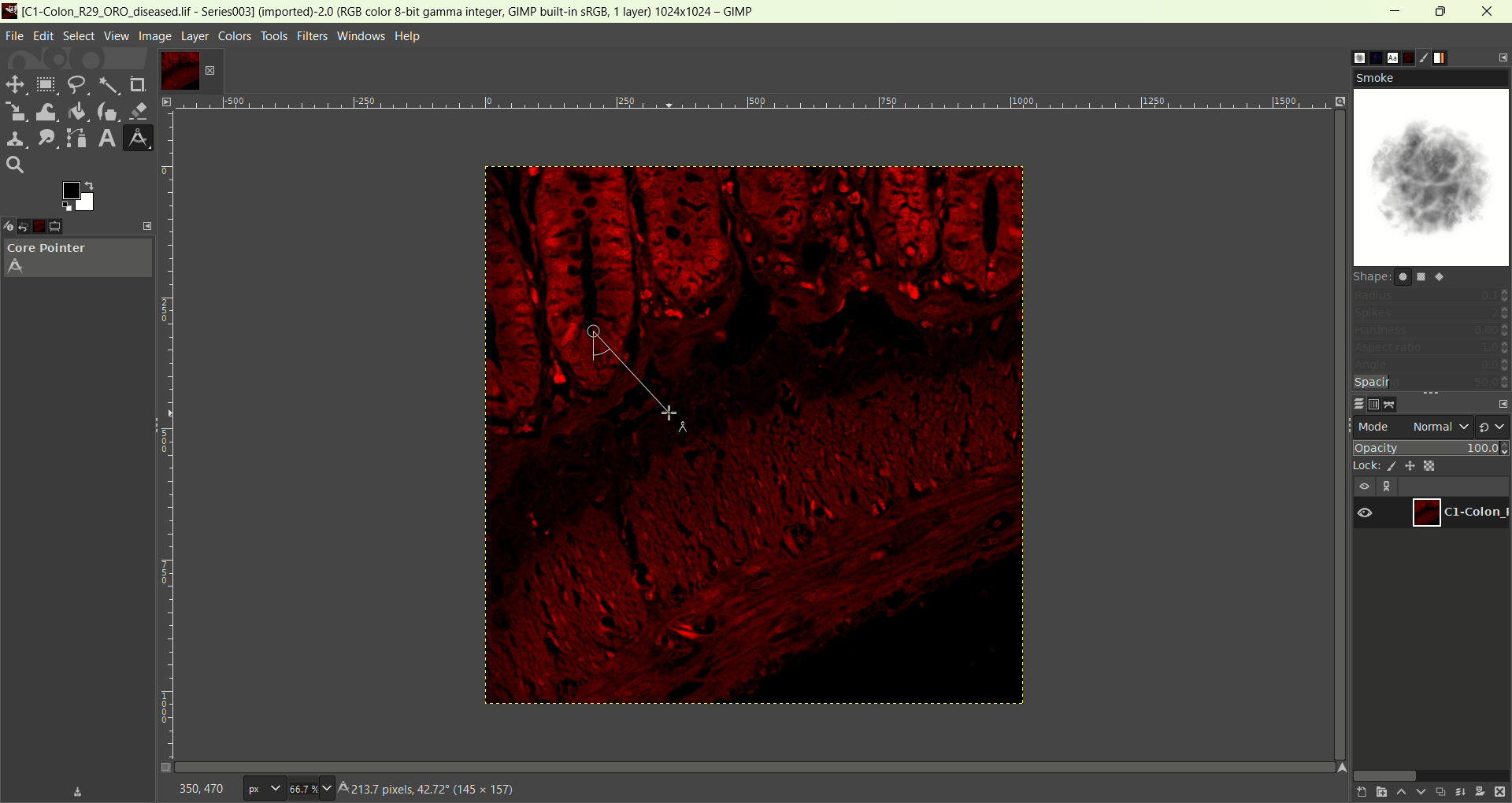  What do you see at coordinates (1363, 487) in the screenshot?
I see `visibility` at bounding box center [1363, 487].